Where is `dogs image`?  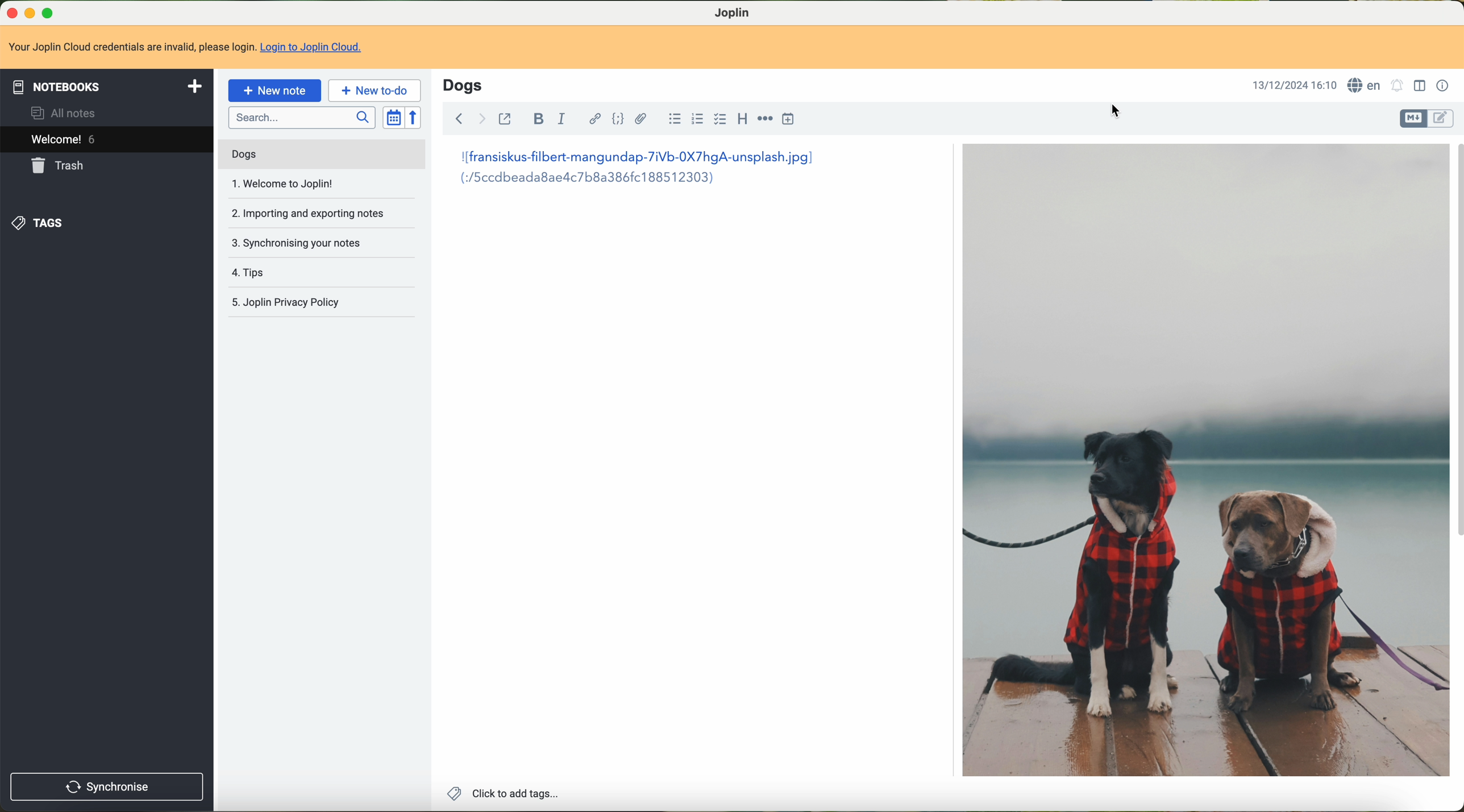
dogs image is located at coordinates (1204, 461).